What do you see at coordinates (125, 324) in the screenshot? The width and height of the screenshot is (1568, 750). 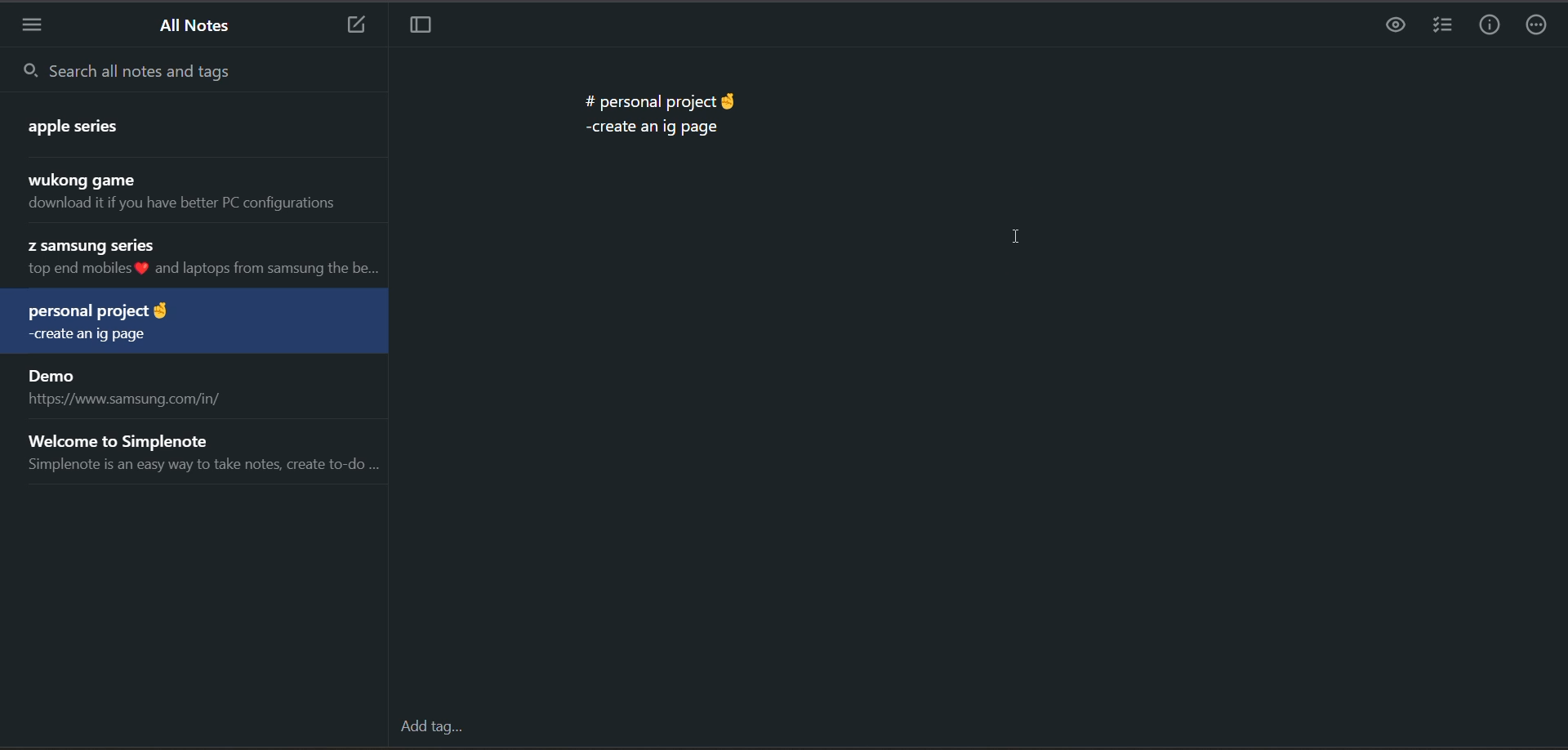 I see `note title and preview sorted in reverse chronological order` at bounding box center [125, 324].